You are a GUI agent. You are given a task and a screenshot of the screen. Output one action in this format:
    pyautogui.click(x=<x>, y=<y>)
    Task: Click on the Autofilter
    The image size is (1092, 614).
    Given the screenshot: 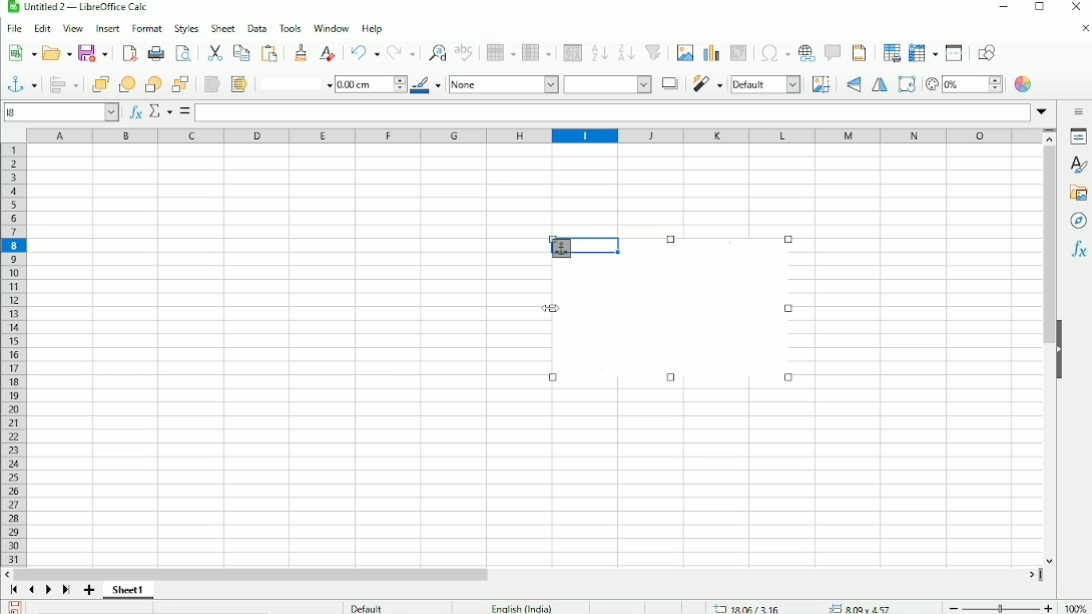 What is the action you would take?
    pyautogui.click(x=654, y=53)
    